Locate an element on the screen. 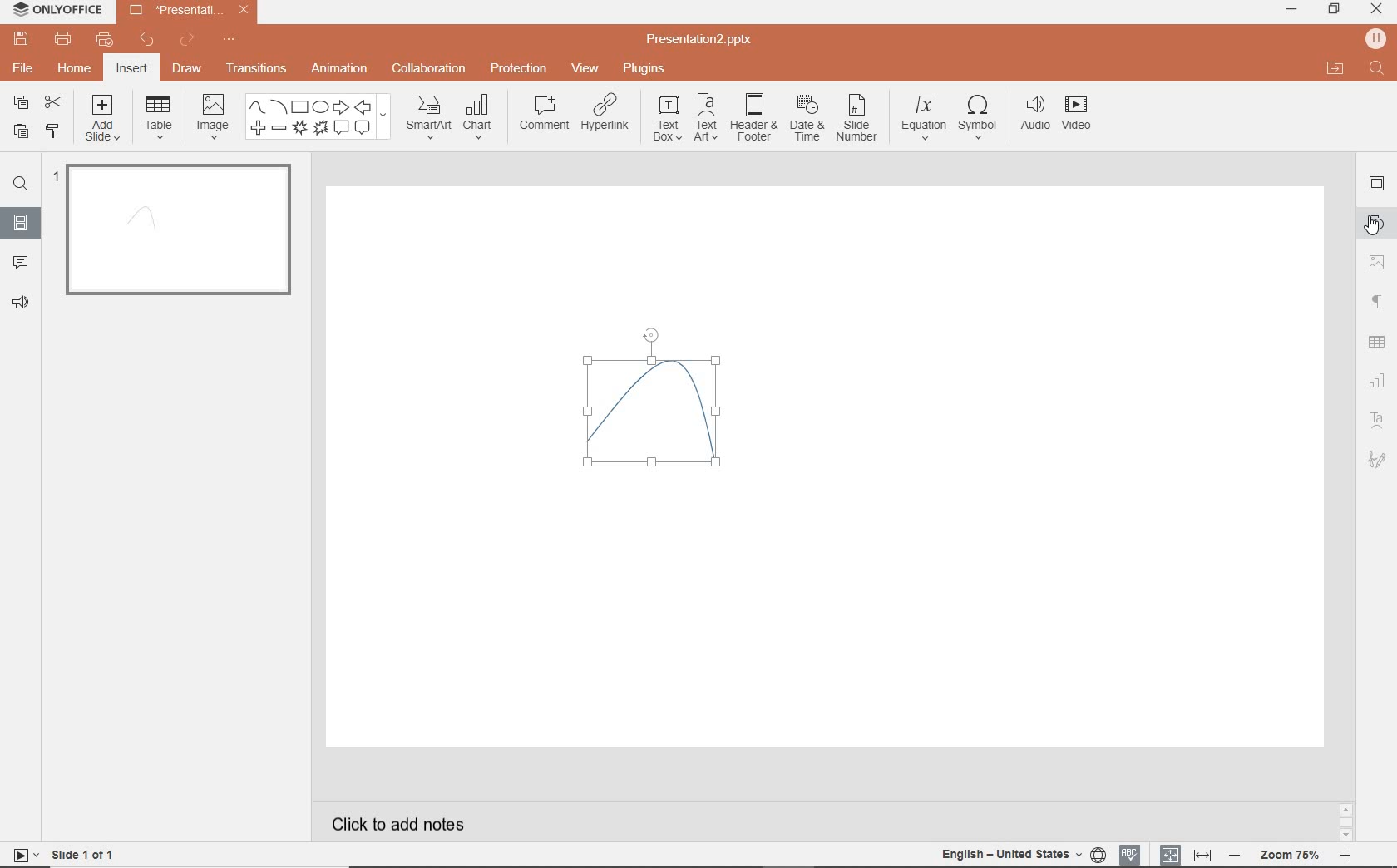 The image size is (1397, 868). DATE & TIME is located at coordinates (807, 121).